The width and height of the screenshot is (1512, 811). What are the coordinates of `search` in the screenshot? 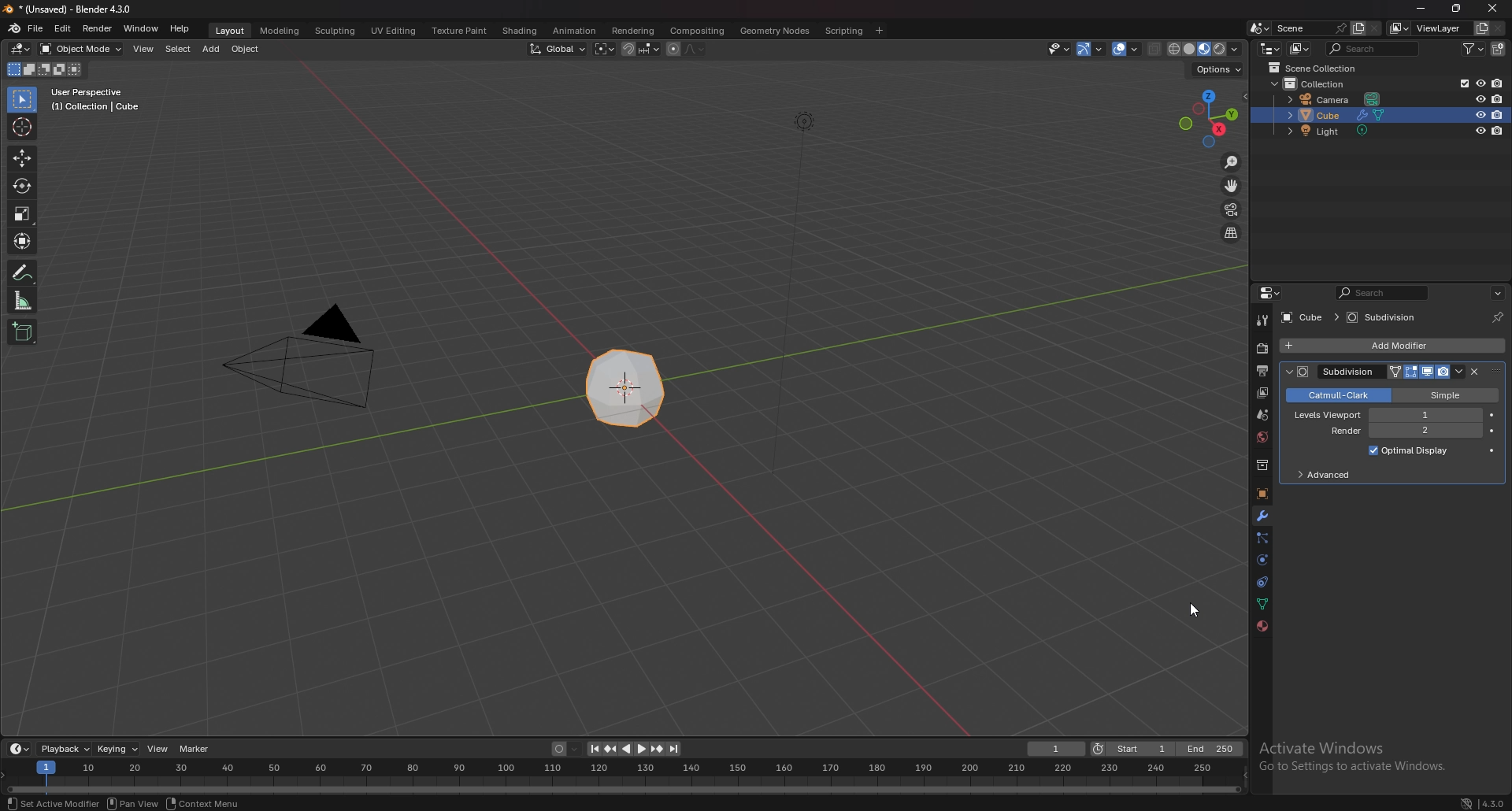 It's located at (1381, 293).